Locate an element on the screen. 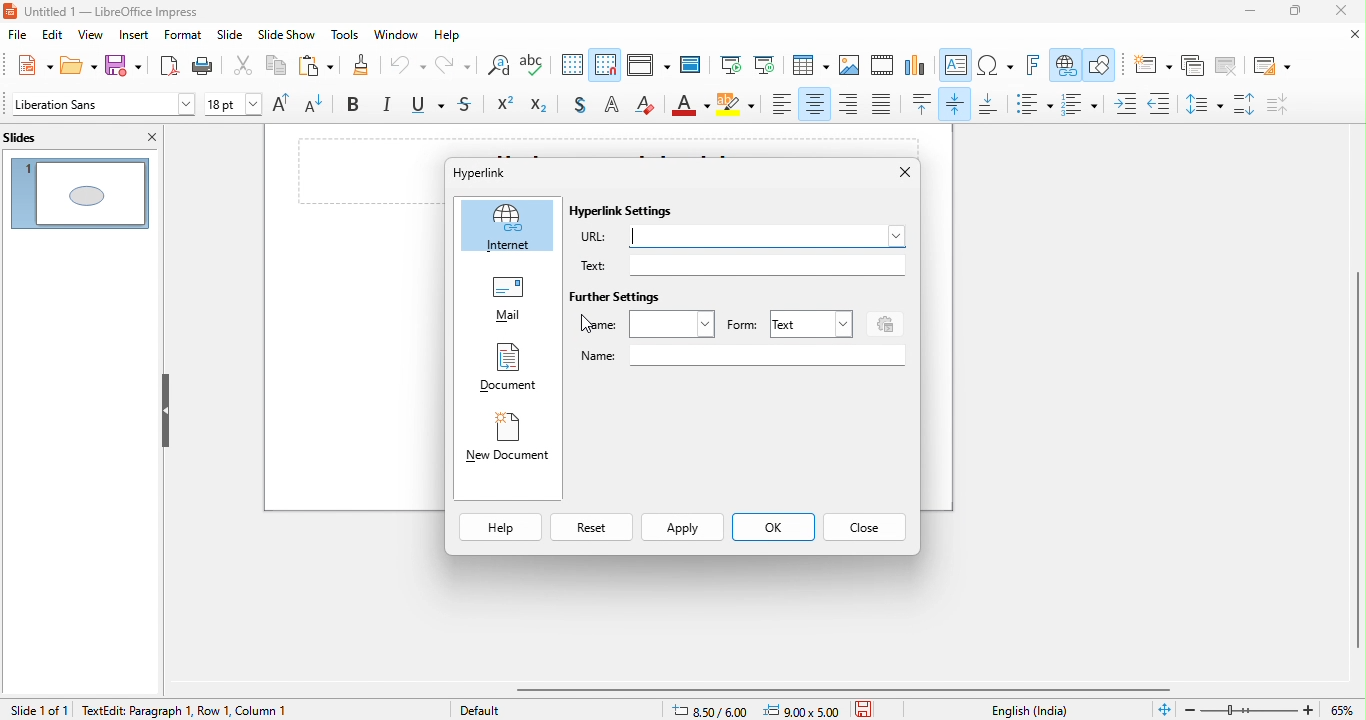  maximize is located at coordinates (1293, 13).